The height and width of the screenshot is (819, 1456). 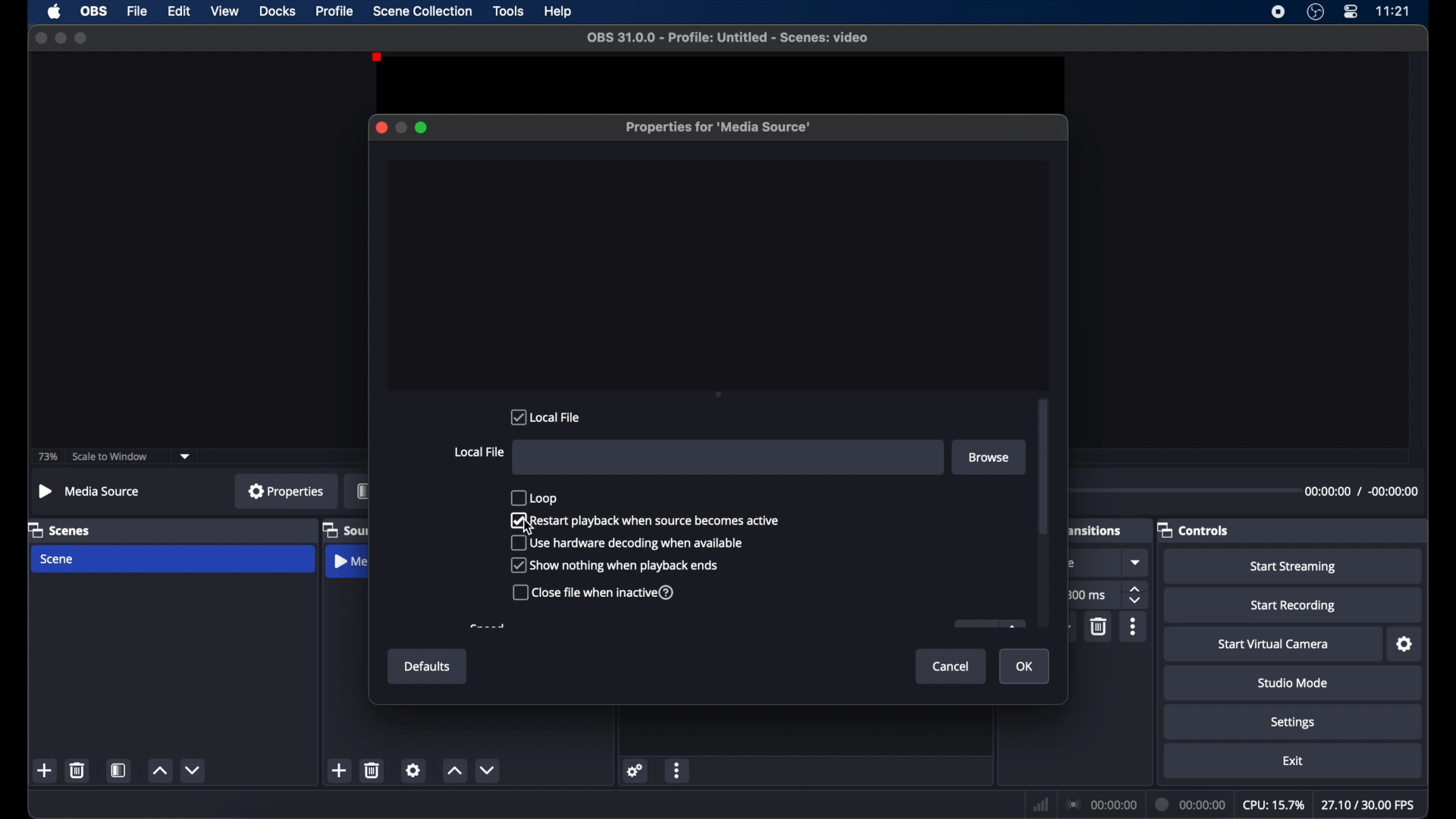 What do you see at coordinates (1086, 595) in the screenshot?
I see `300 ms` at bounding box center [1086, 595].